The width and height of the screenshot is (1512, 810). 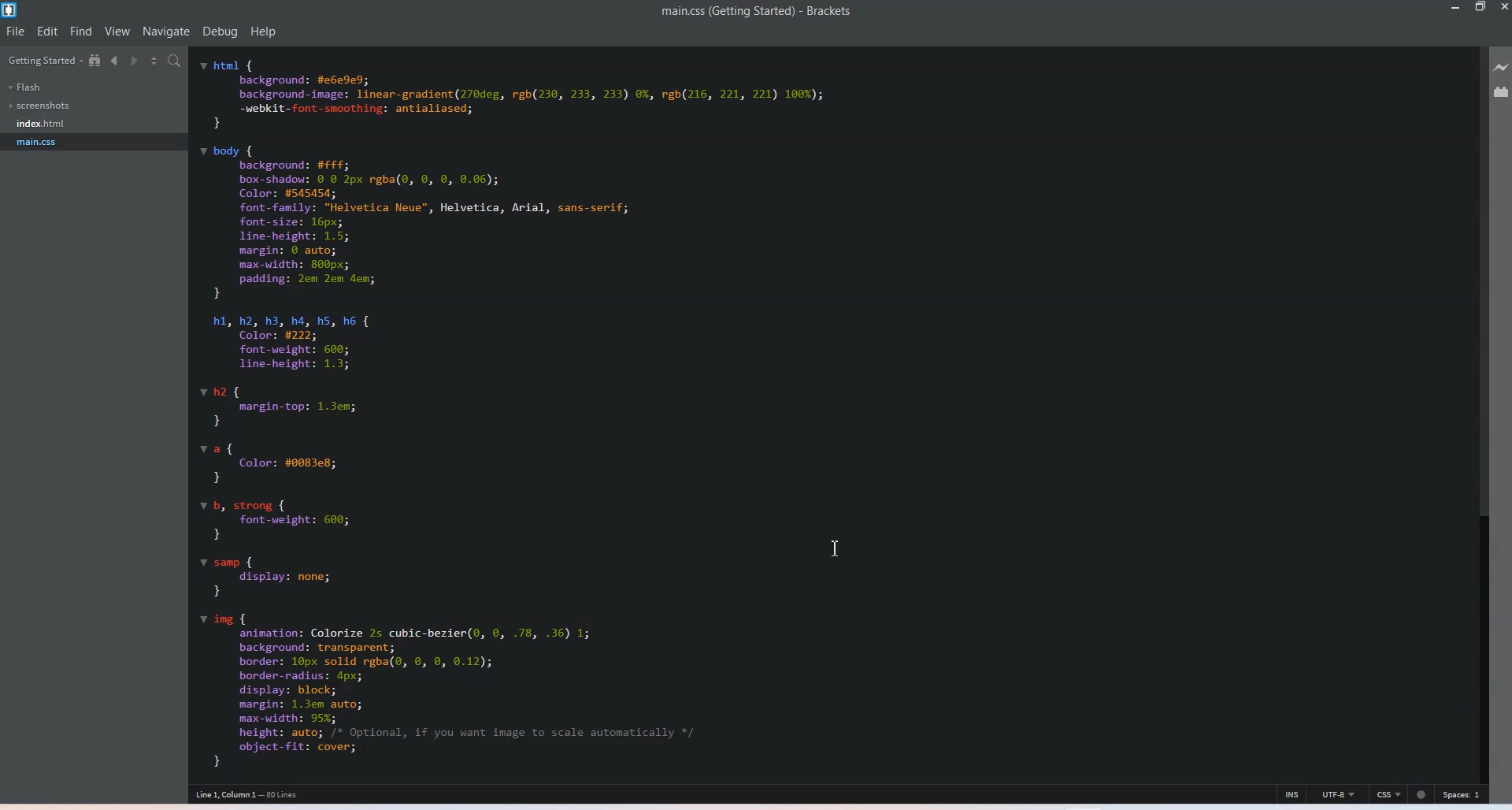 I want to click on Text Cursor, so click(x=836, y=548).